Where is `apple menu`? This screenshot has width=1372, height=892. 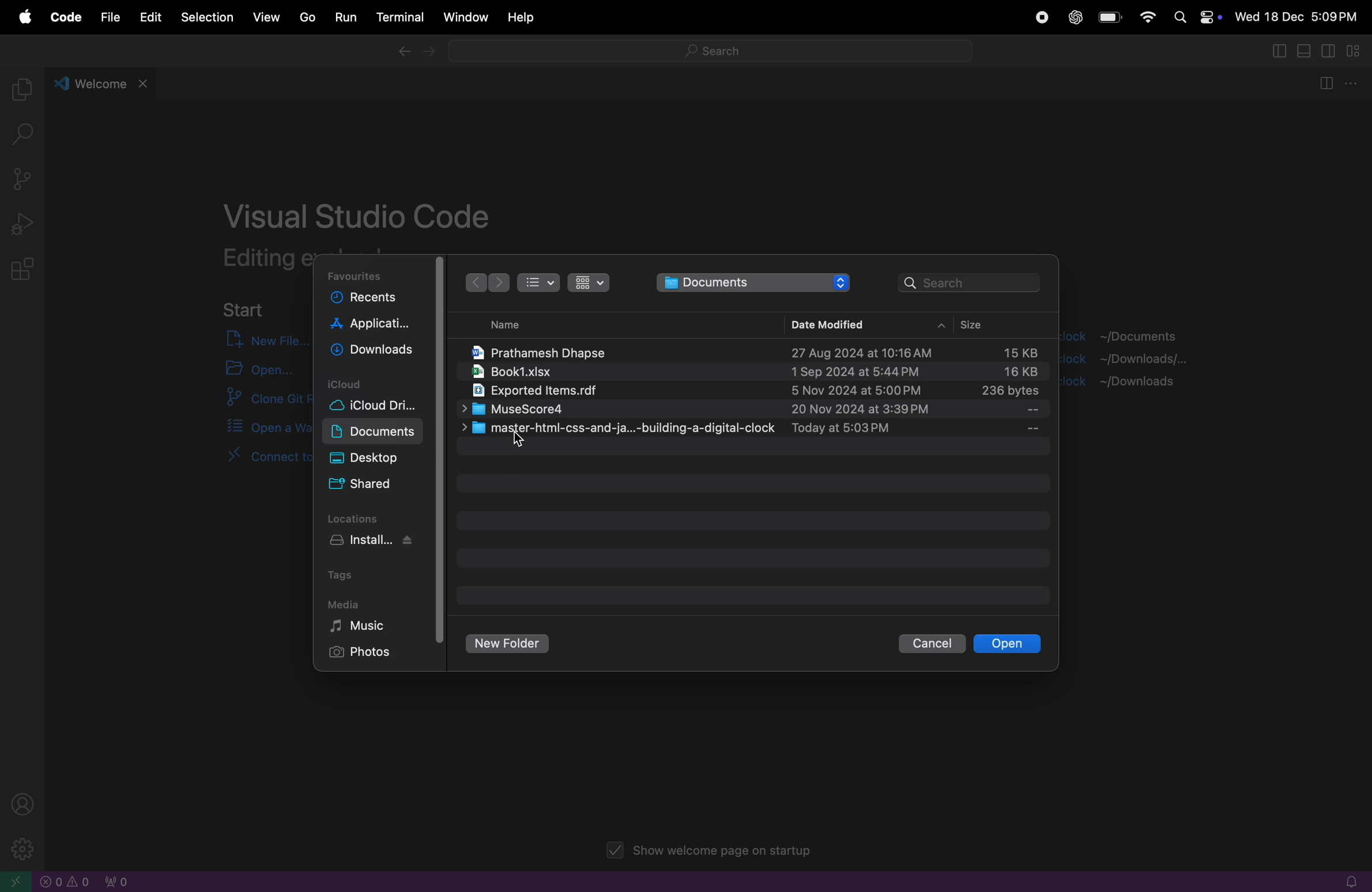 apple menu is located at coordinates (24, 18).